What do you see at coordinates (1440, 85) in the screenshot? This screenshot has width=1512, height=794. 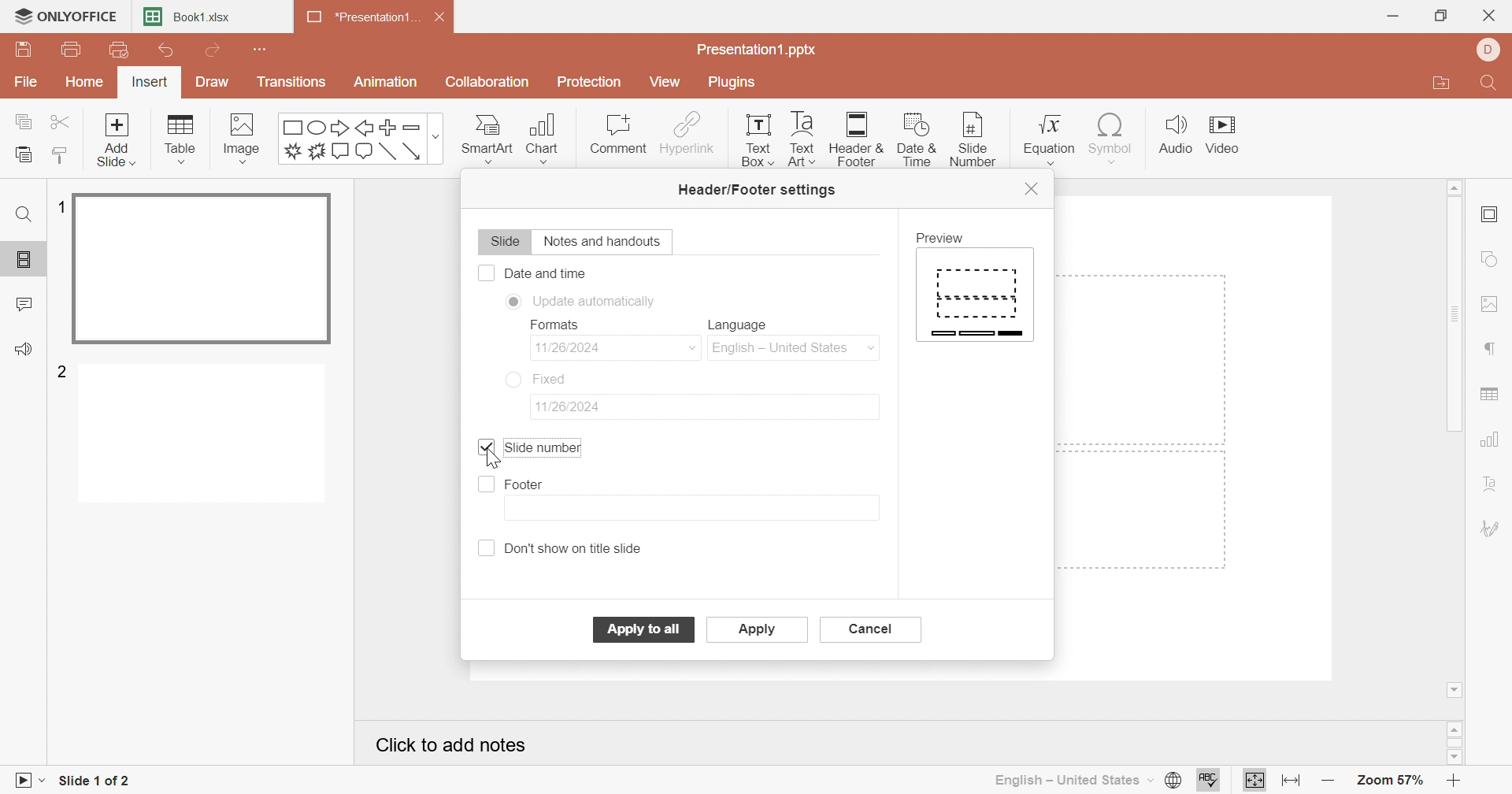 I see `Open file location` at bounding box center [1440, 85].